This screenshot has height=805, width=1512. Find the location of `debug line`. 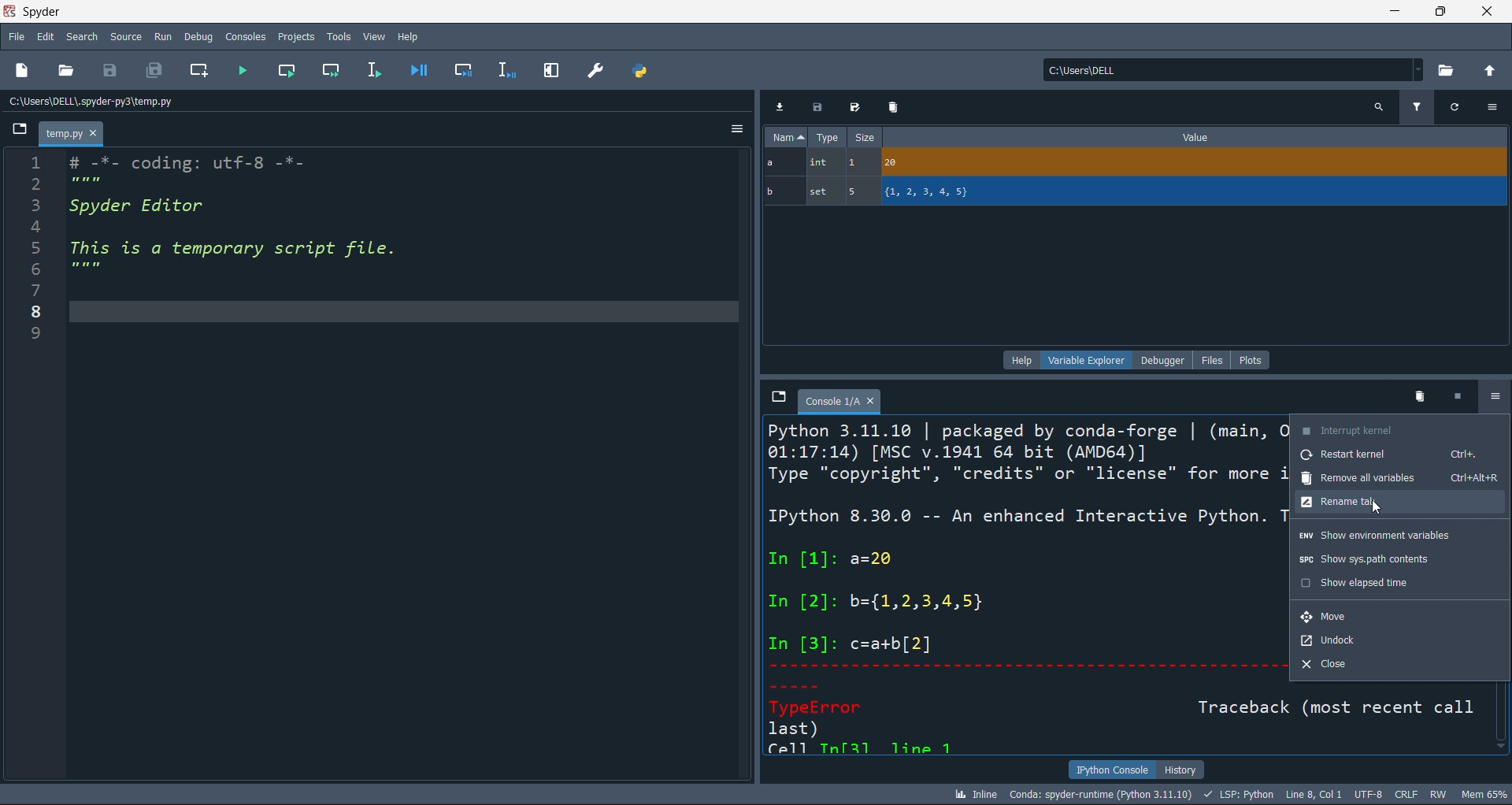

debug line is located at coordinates (504, 69).